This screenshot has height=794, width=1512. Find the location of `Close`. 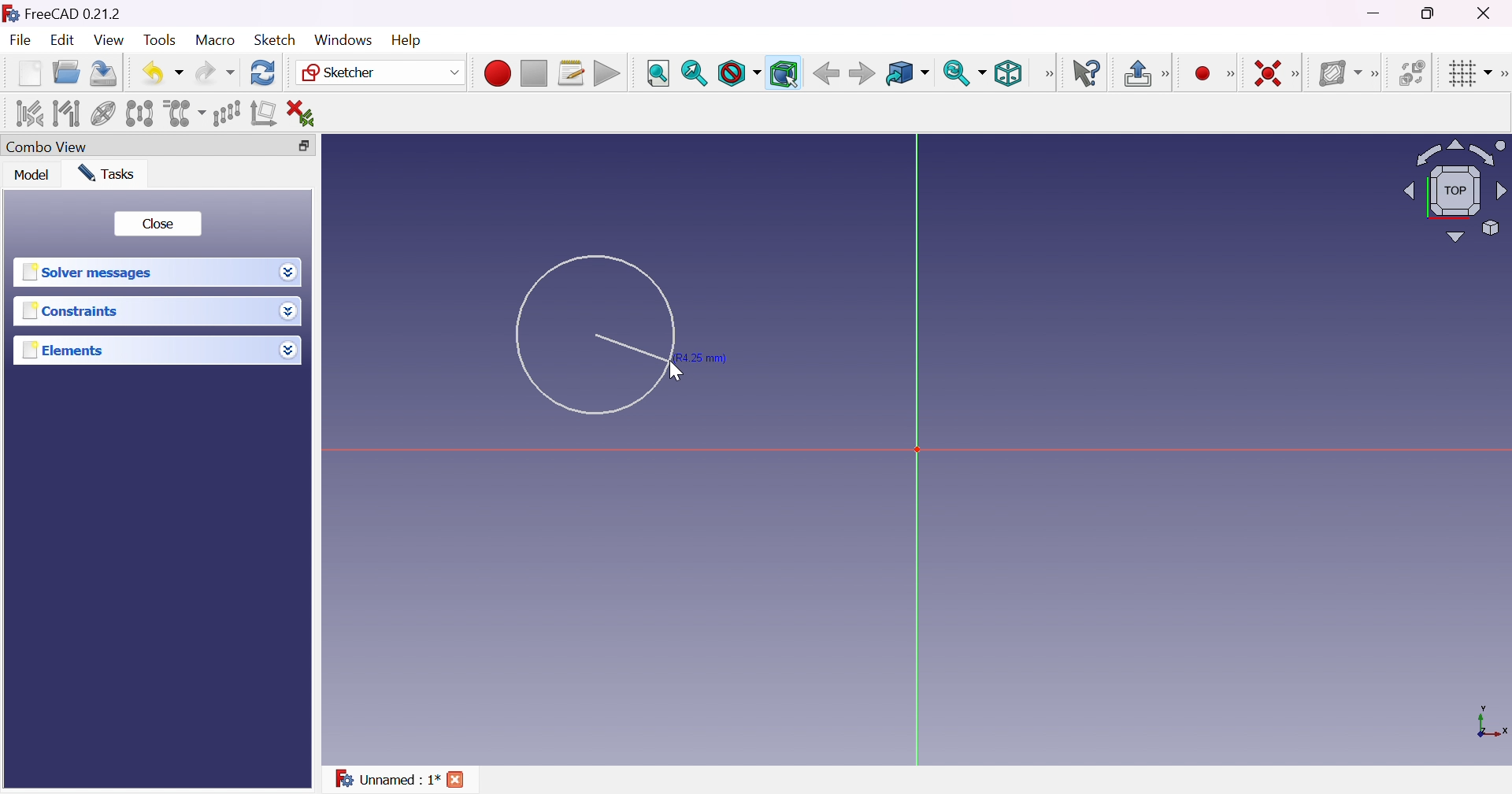

Close is located at coordinates (1492, 13).